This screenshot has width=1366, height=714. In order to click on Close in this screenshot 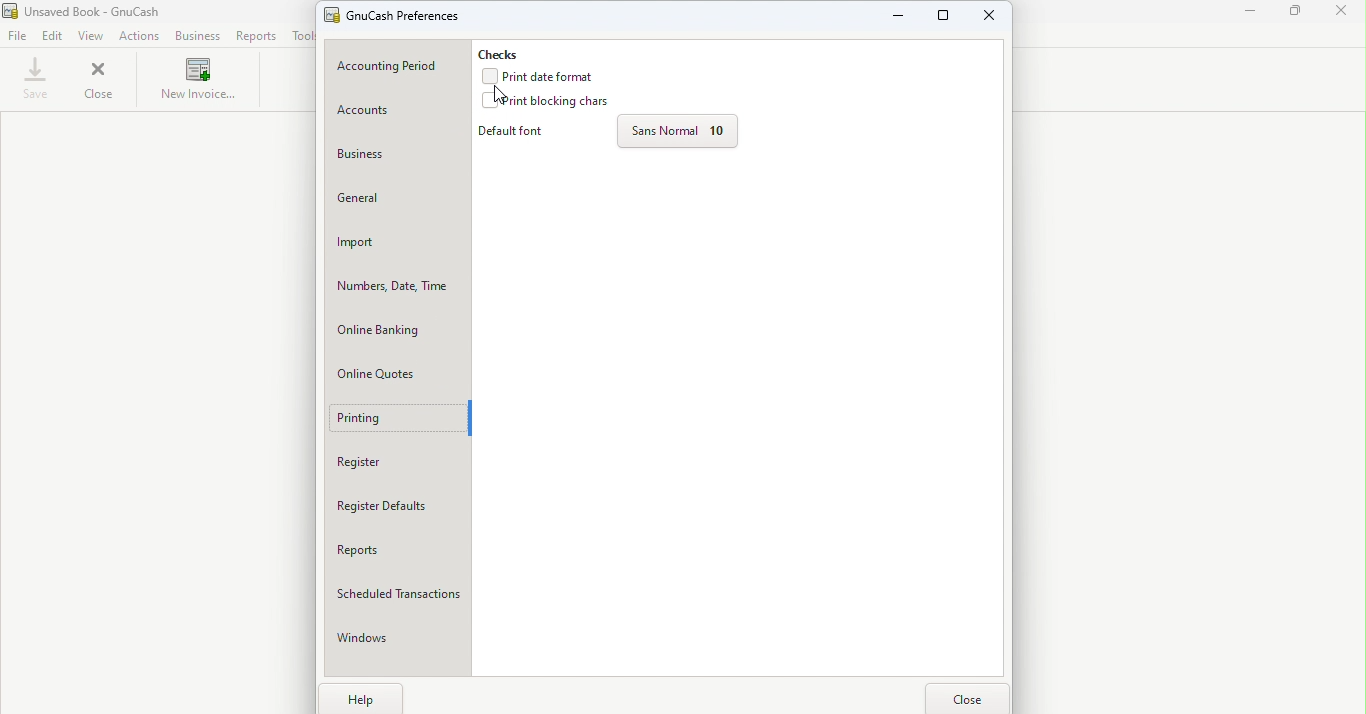, I will do `click(1346, 16)`.